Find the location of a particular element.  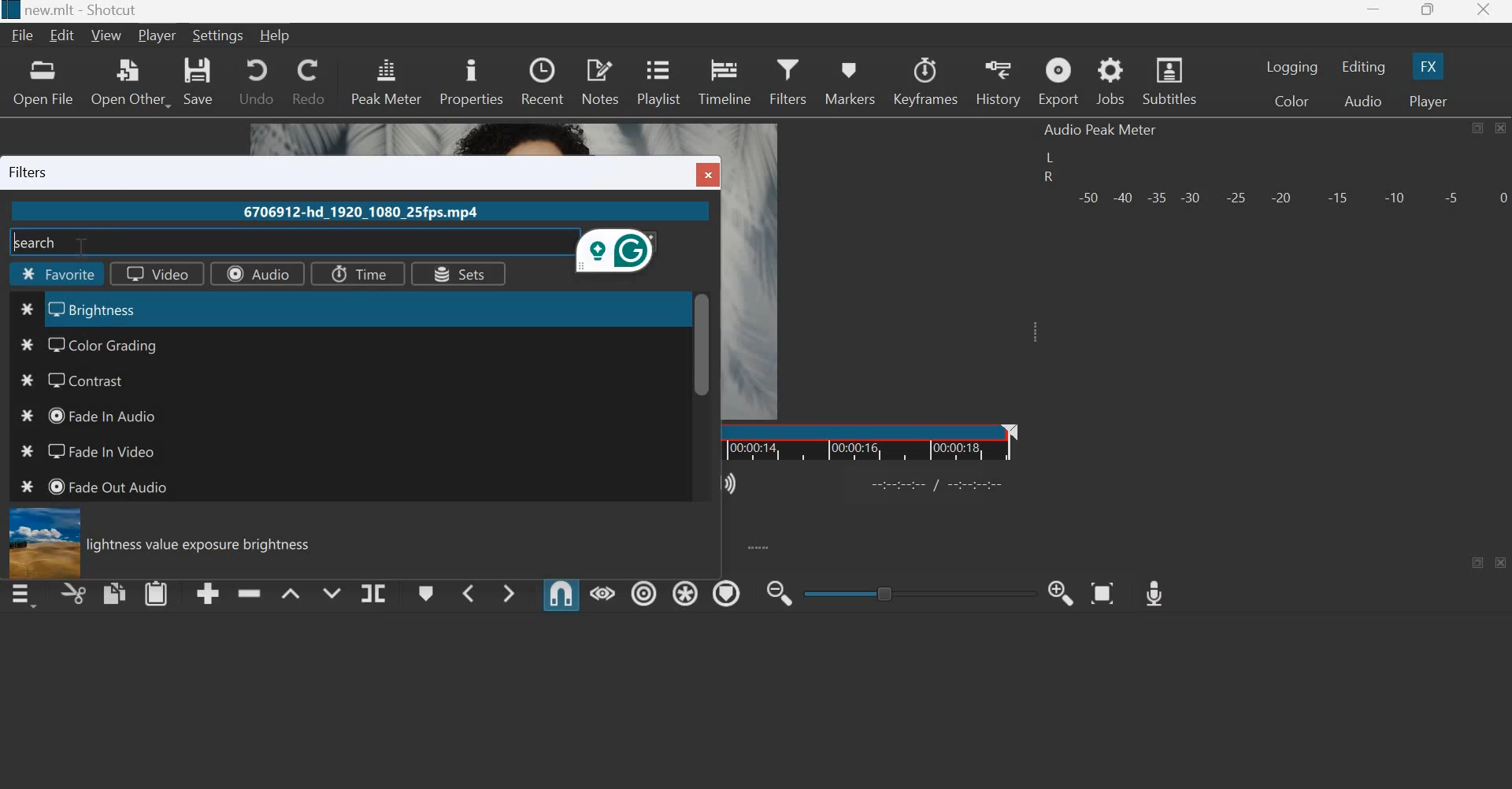

copy is located at coordinates (115, 592).